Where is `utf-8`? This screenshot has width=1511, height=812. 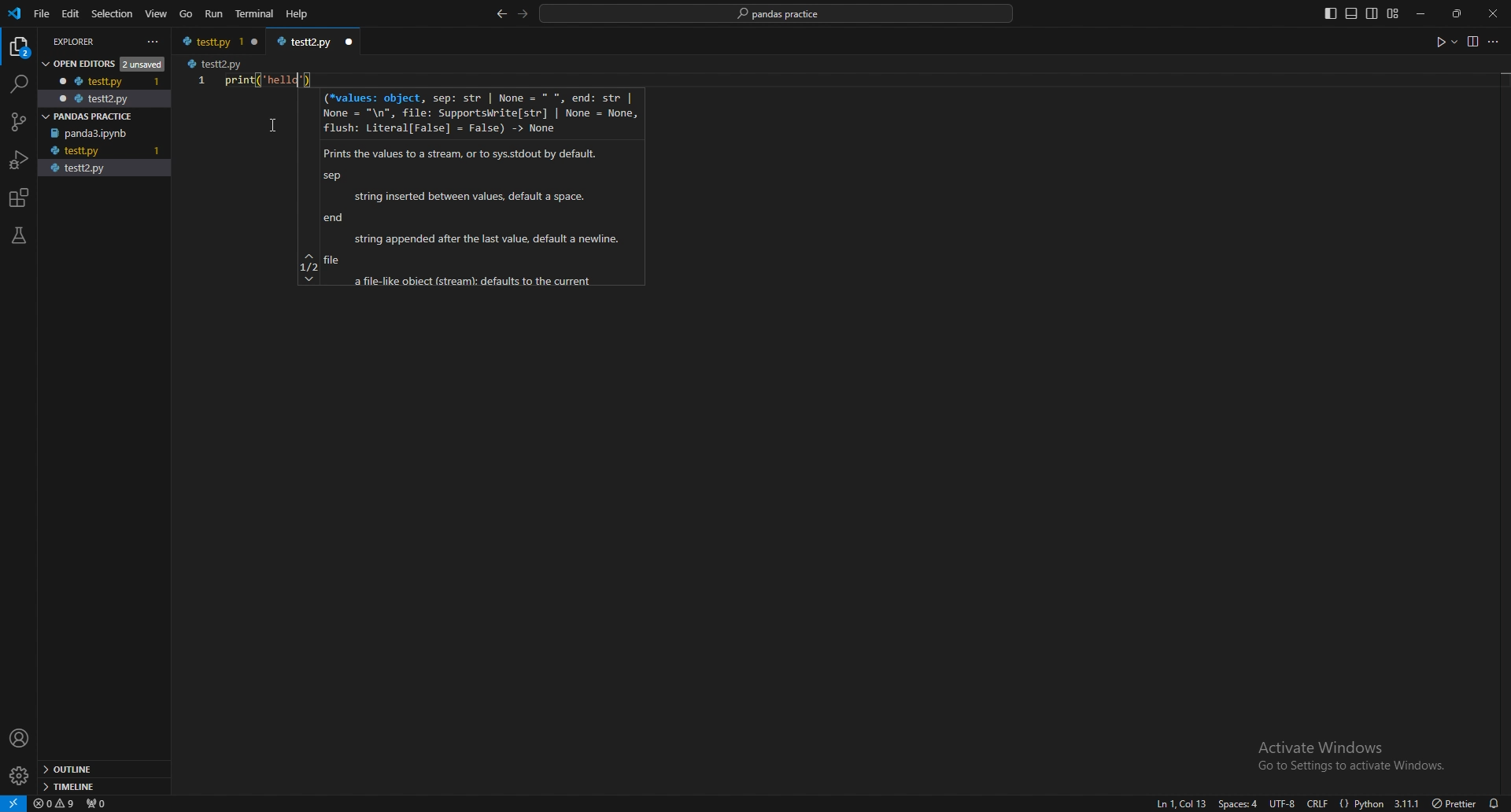
utf-8 is located at coordinates (1280, 803).